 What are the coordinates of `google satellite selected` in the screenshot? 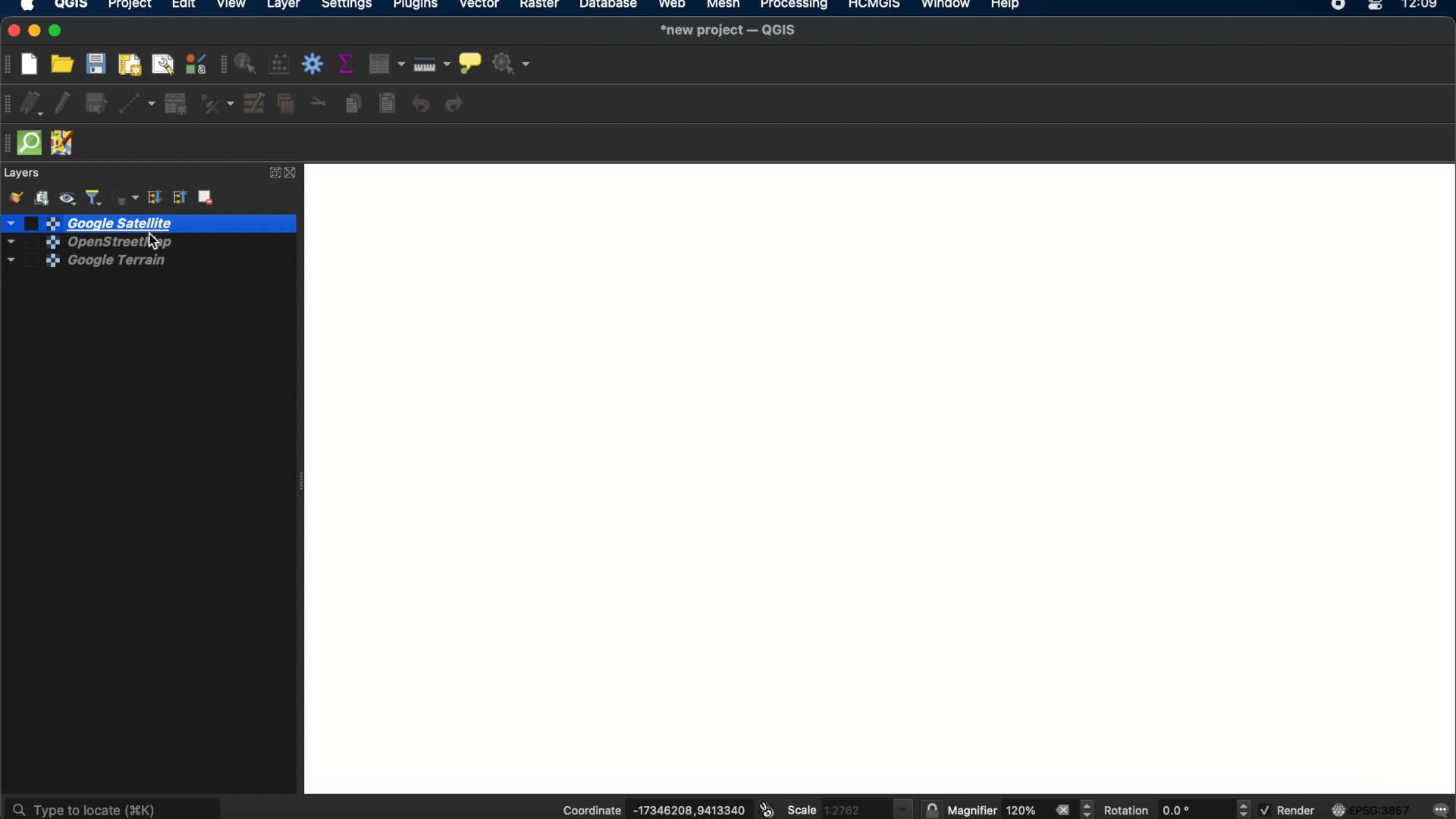 It's located at (148, 223).